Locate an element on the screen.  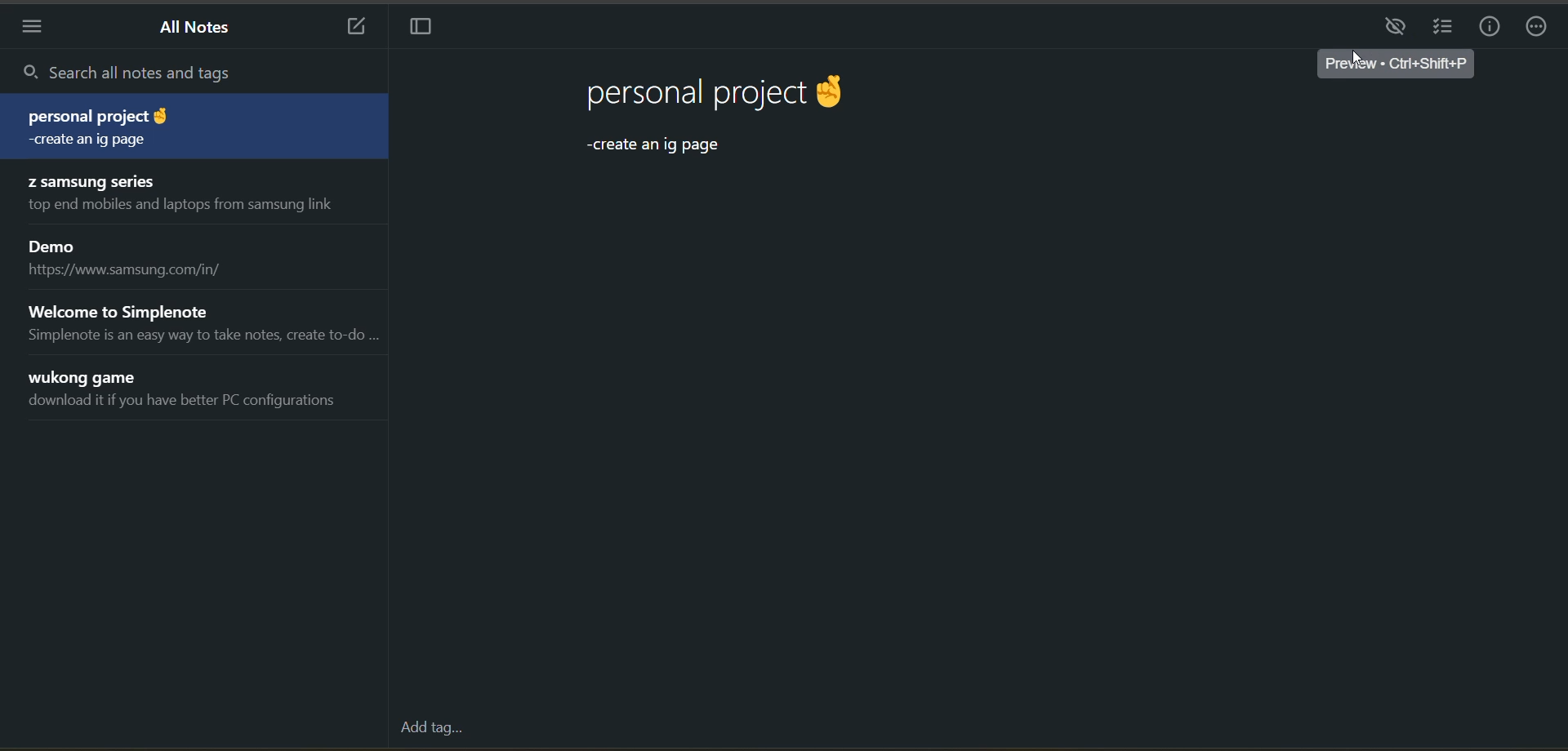
cursor is located at coordinates (1353, 59).